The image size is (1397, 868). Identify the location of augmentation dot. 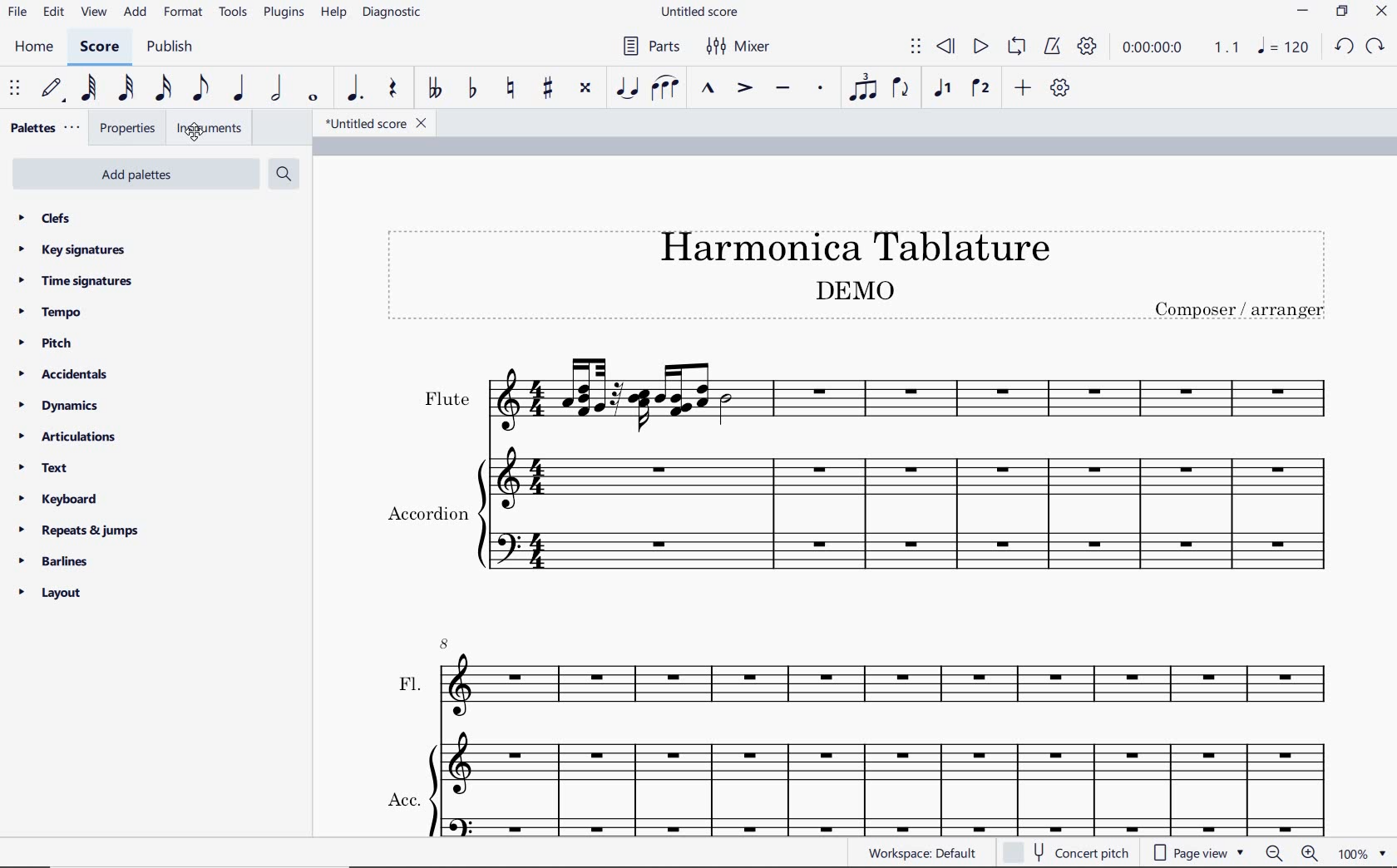
(355, 88).